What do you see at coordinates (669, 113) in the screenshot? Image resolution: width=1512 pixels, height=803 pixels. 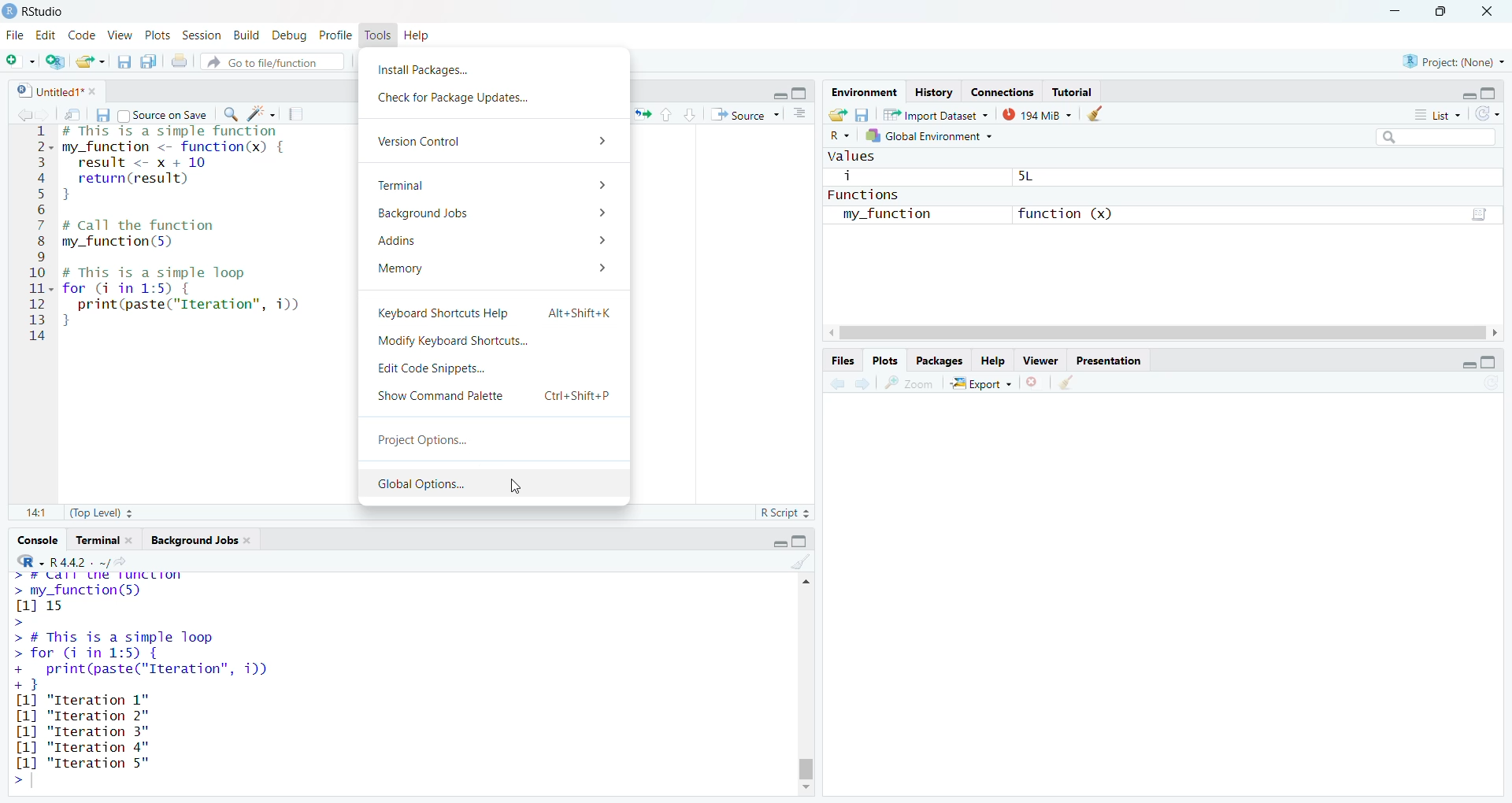 I see `go to previous section/chunk` at bounding box center [669, 113].